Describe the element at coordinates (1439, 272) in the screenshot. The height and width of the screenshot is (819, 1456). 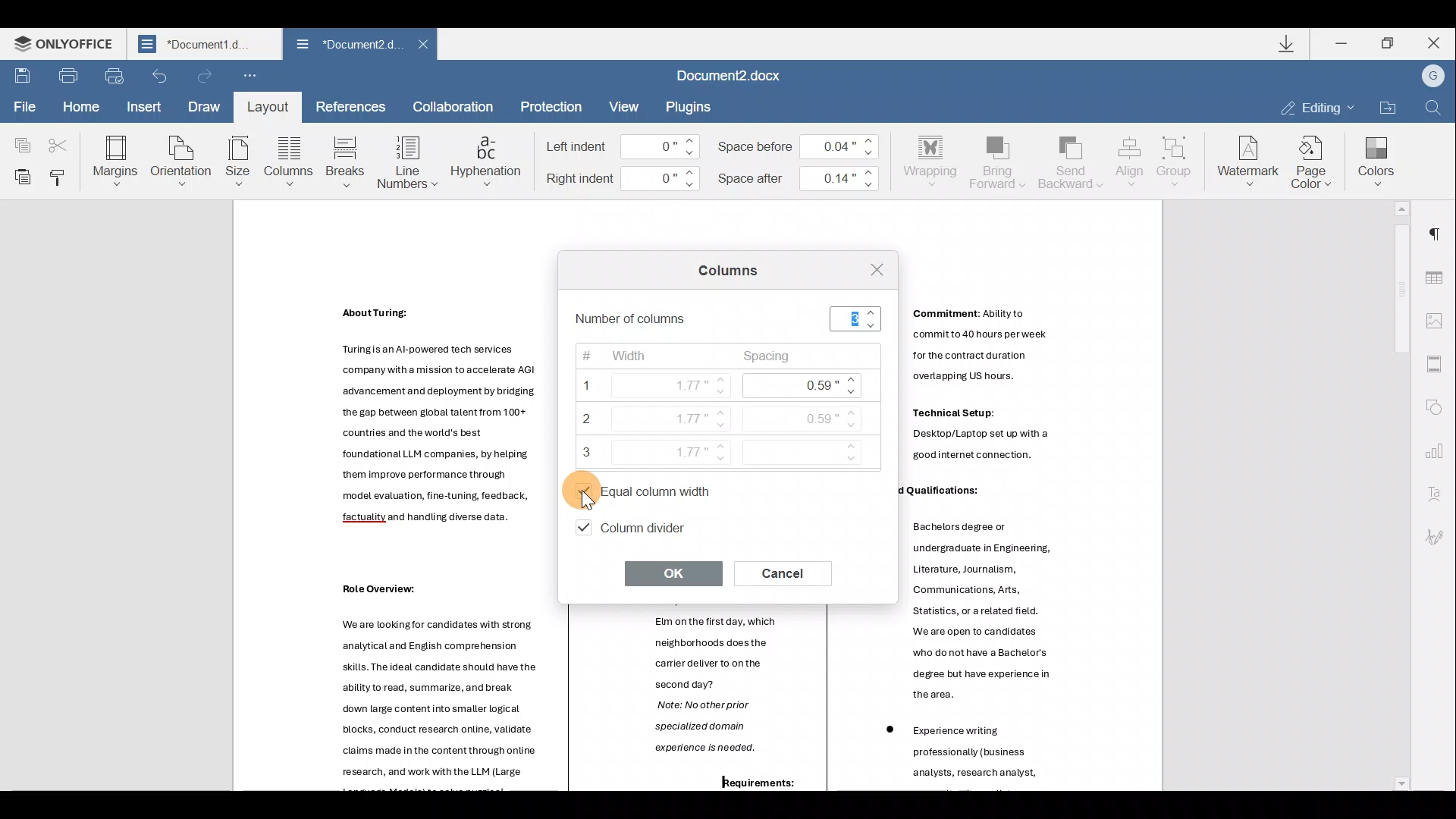
I see `Table settings` at that location.